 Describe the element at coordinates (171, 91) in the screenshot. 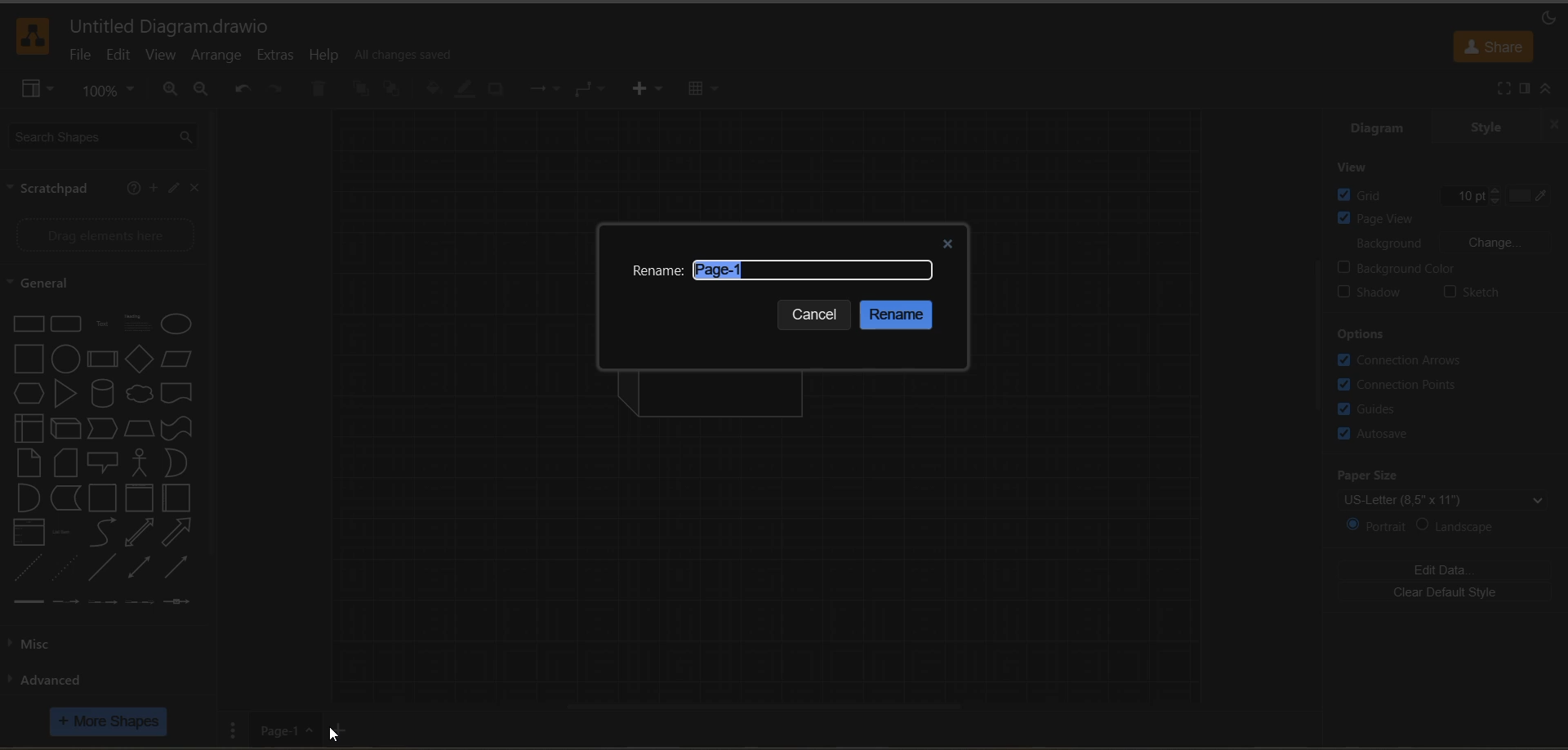

I see `zoom in` at that location.